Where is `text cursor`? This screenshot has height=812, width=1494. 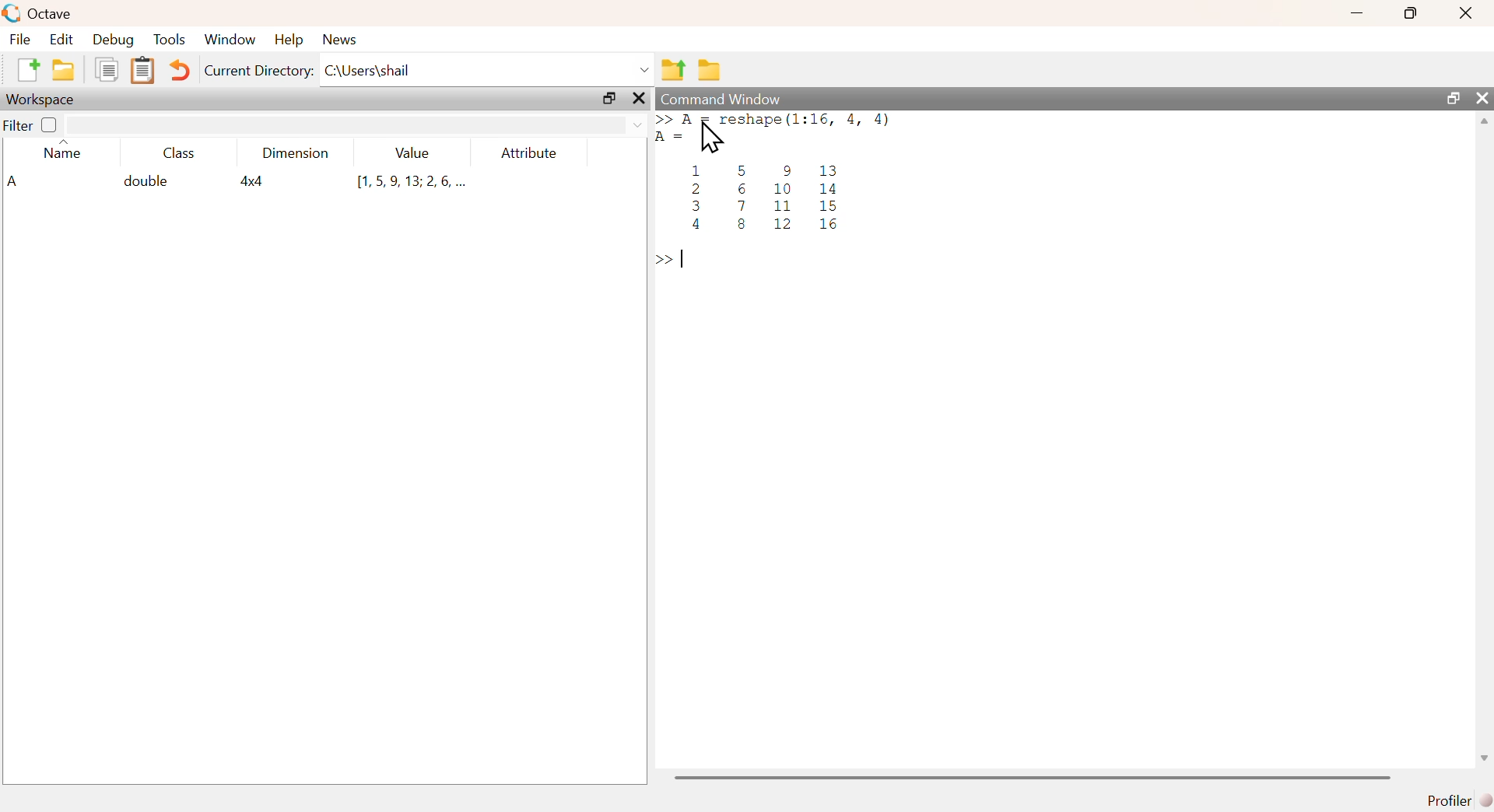 text cursor is located at coordinates (684, 263).